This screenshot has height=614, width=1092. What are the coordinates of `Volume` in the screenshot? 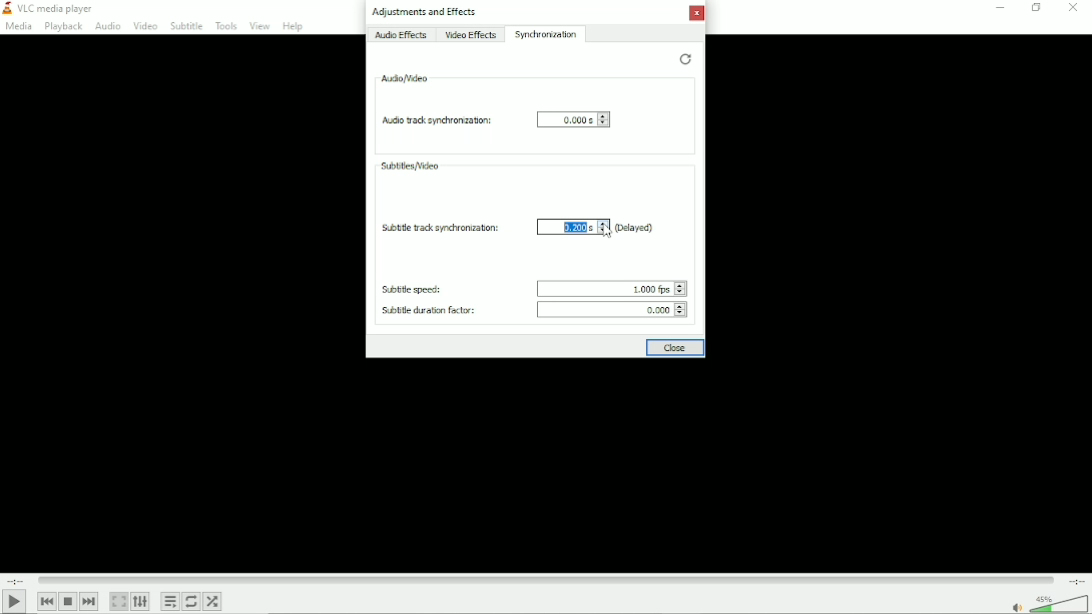 It's located at (1047, 602).